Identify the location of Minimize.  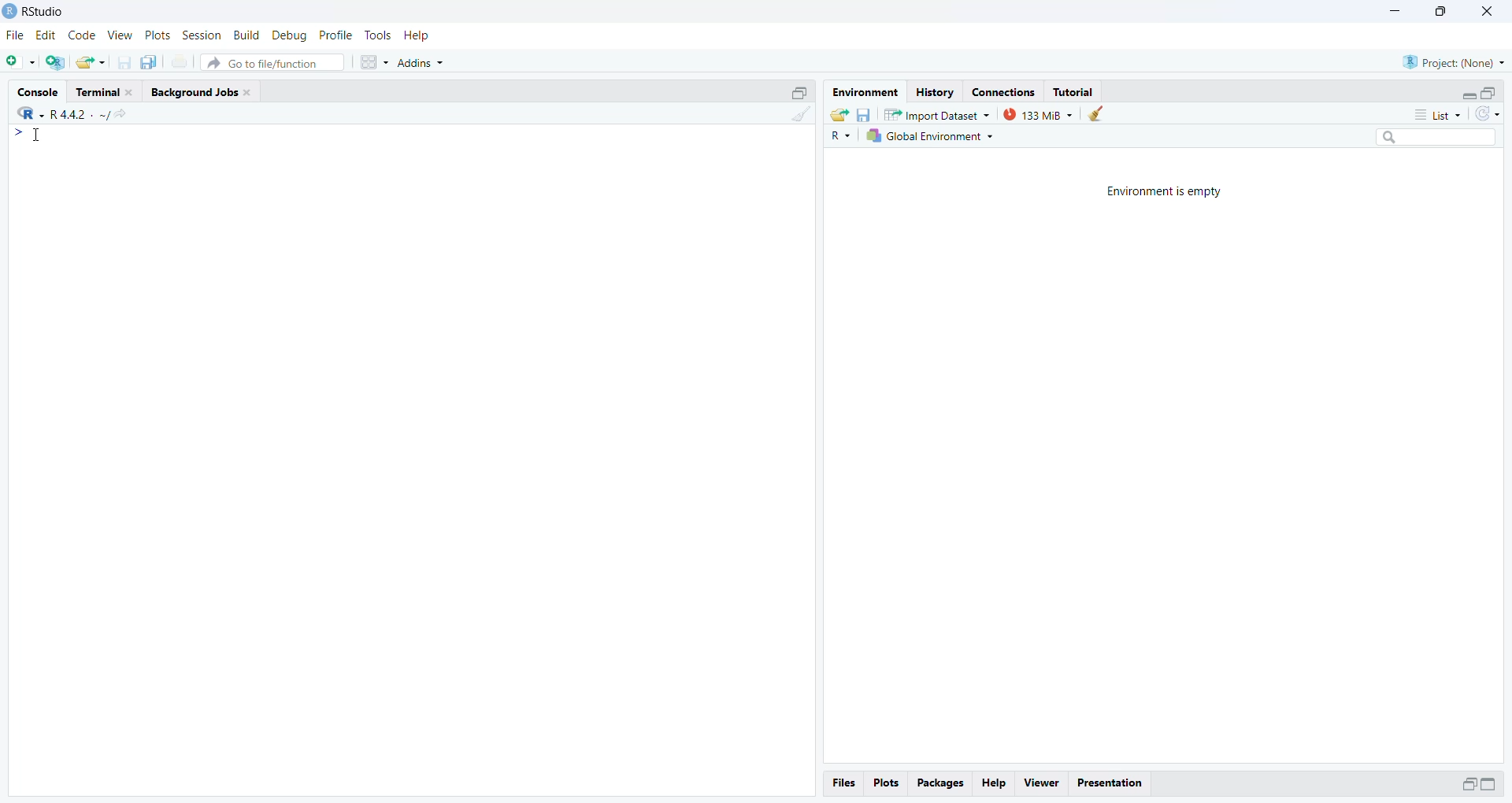
(1395, 12).